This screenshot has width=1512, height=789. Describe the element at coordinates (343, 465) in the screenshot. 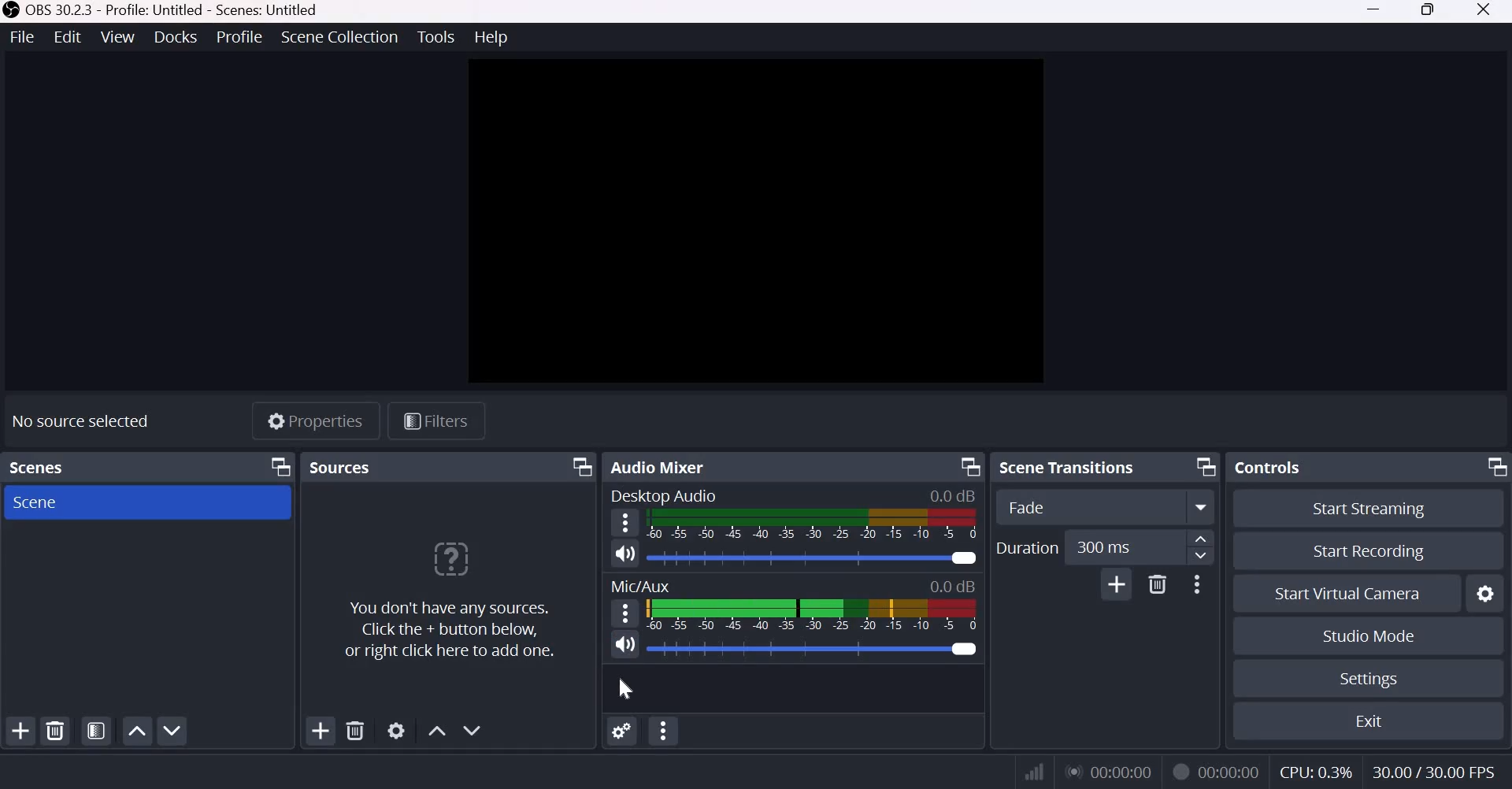

I see `Sources` at that location.